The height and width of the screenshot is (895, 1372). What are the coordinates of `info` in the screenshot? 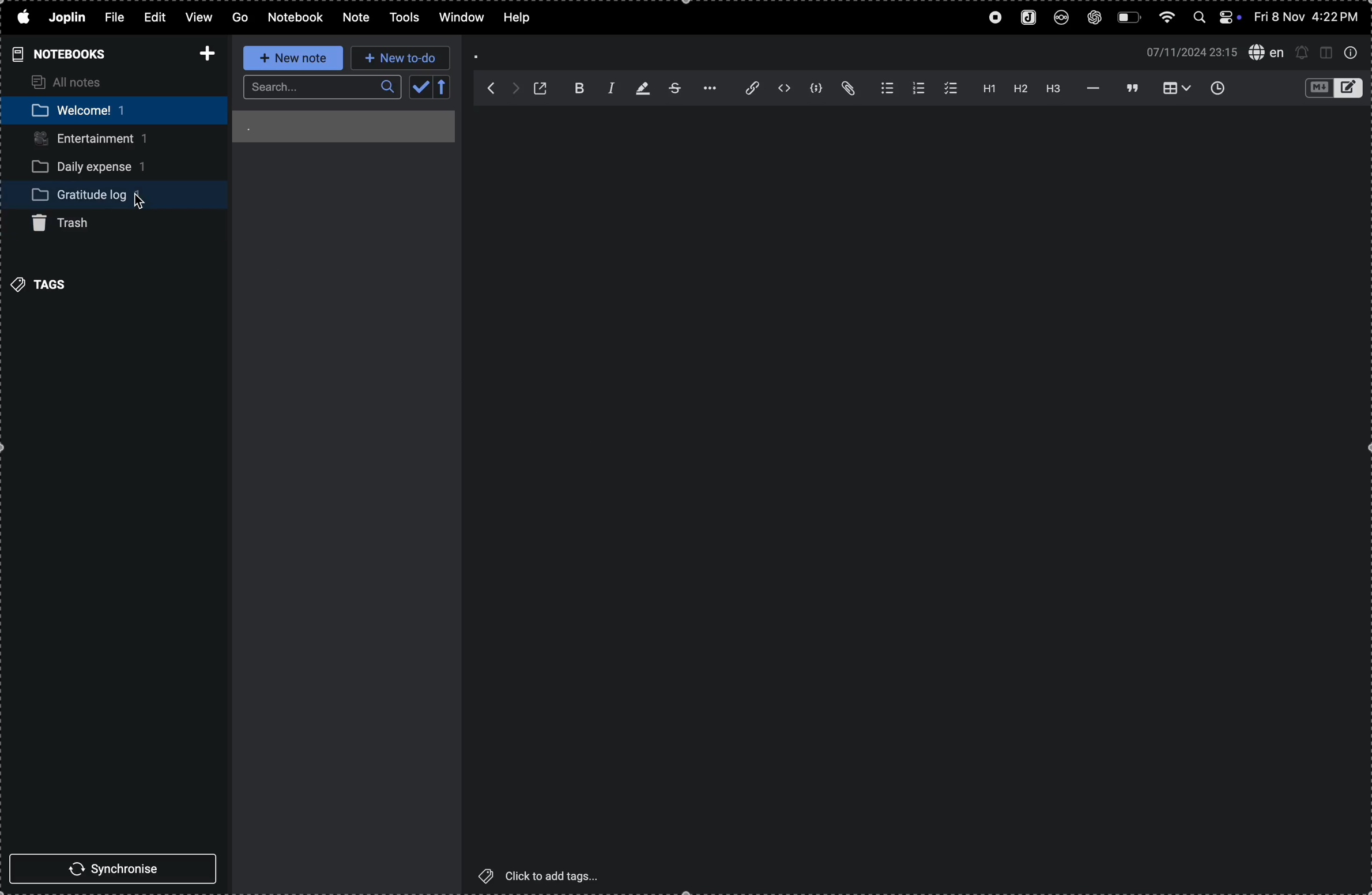 It's located at (1355, 55).